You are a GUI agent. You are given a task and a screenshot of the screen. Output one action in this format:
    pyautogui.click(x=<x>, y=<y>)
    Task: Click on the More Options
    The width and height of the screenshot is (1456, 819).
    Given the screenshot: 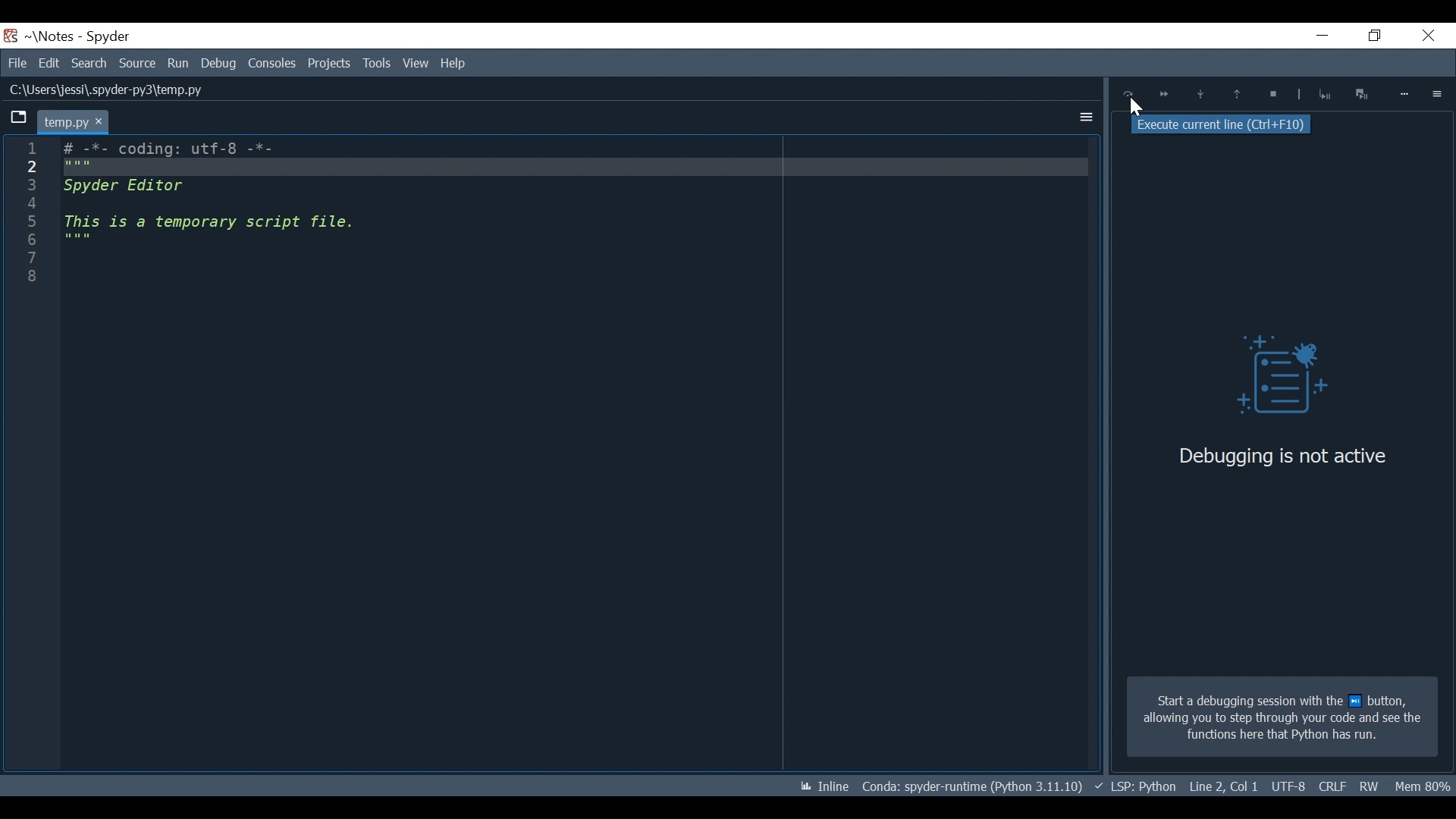 What is the action you would take?
    pyautogui.click(x=1082, y=115)
    